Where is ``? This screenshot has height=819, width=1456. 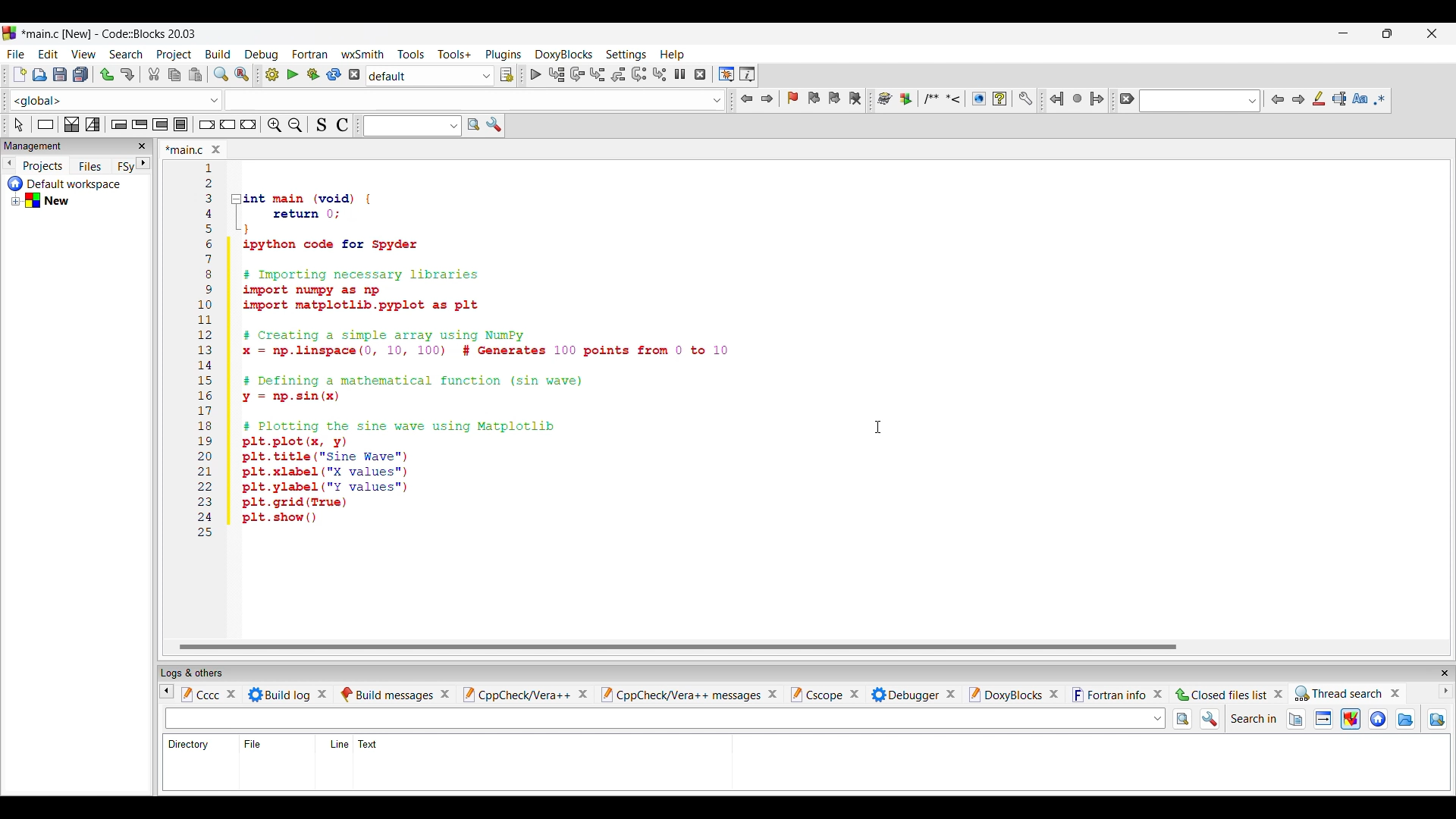
 is located at coordinates (912, 693).